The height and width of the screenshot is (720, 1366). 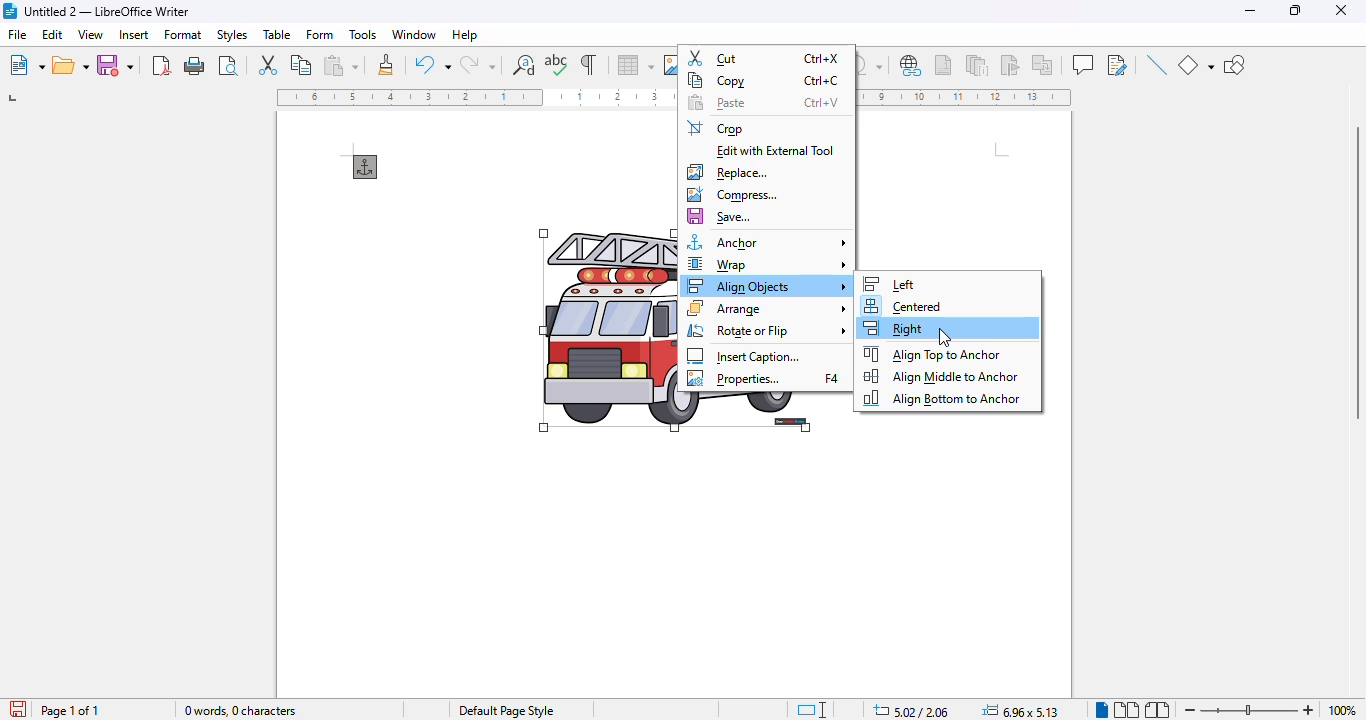 What do you see at coordinates (366, 167) in the screenshot?
I see `anchor` at bounding box center [366, 167].